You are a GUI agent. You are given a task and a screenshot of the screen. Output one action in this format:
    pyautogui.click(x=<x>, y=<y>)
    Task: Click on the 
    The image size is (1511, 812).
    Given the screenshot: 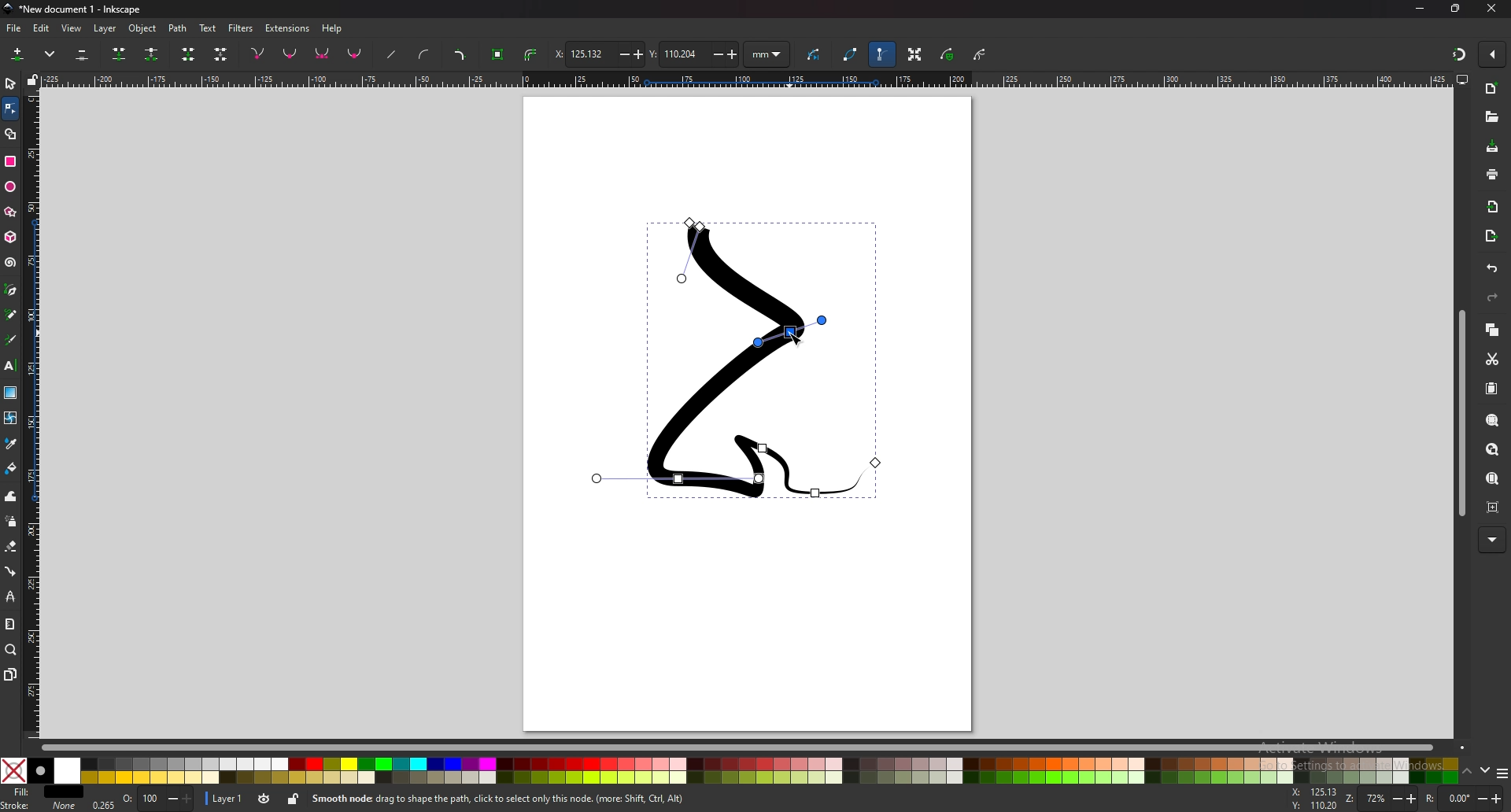 What is the action you would take?
    pyautogui.click(x=1493, y=540)
    